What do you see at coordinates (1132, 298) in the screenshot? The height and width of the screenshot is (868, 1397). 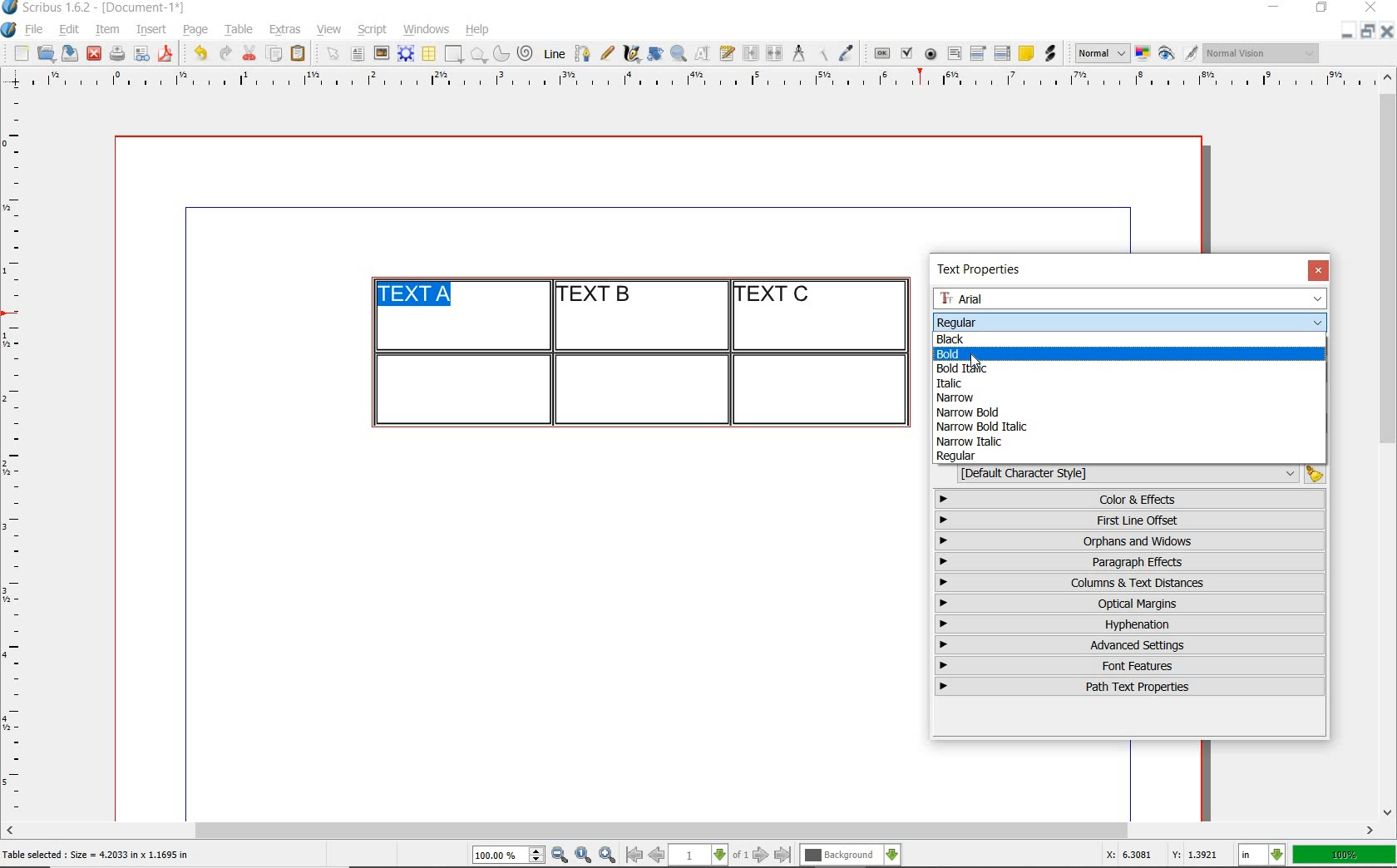 I see `font family` at bounding box center [1132, 298].